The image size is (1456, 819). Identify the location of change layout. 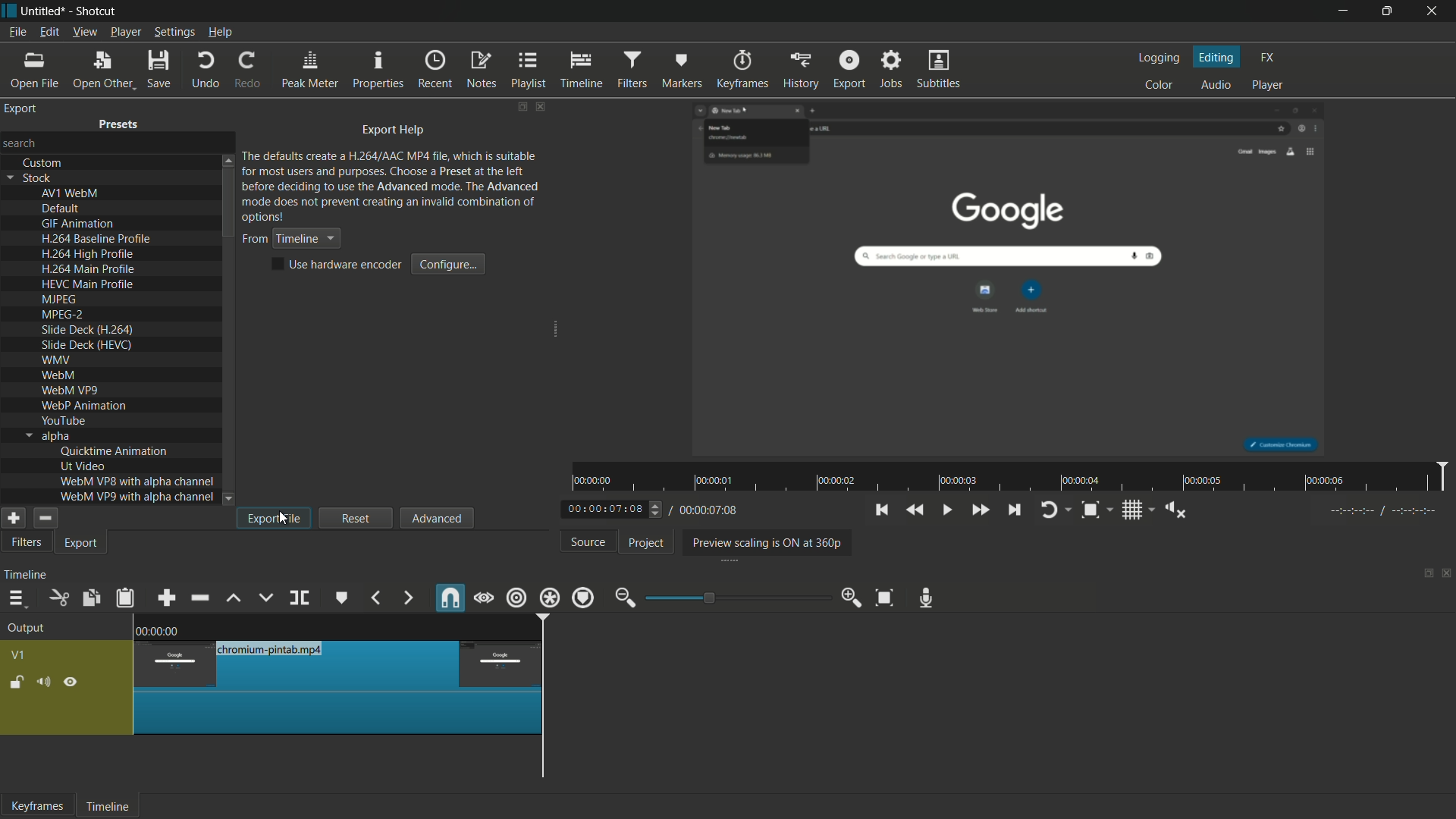
(1423, 577).